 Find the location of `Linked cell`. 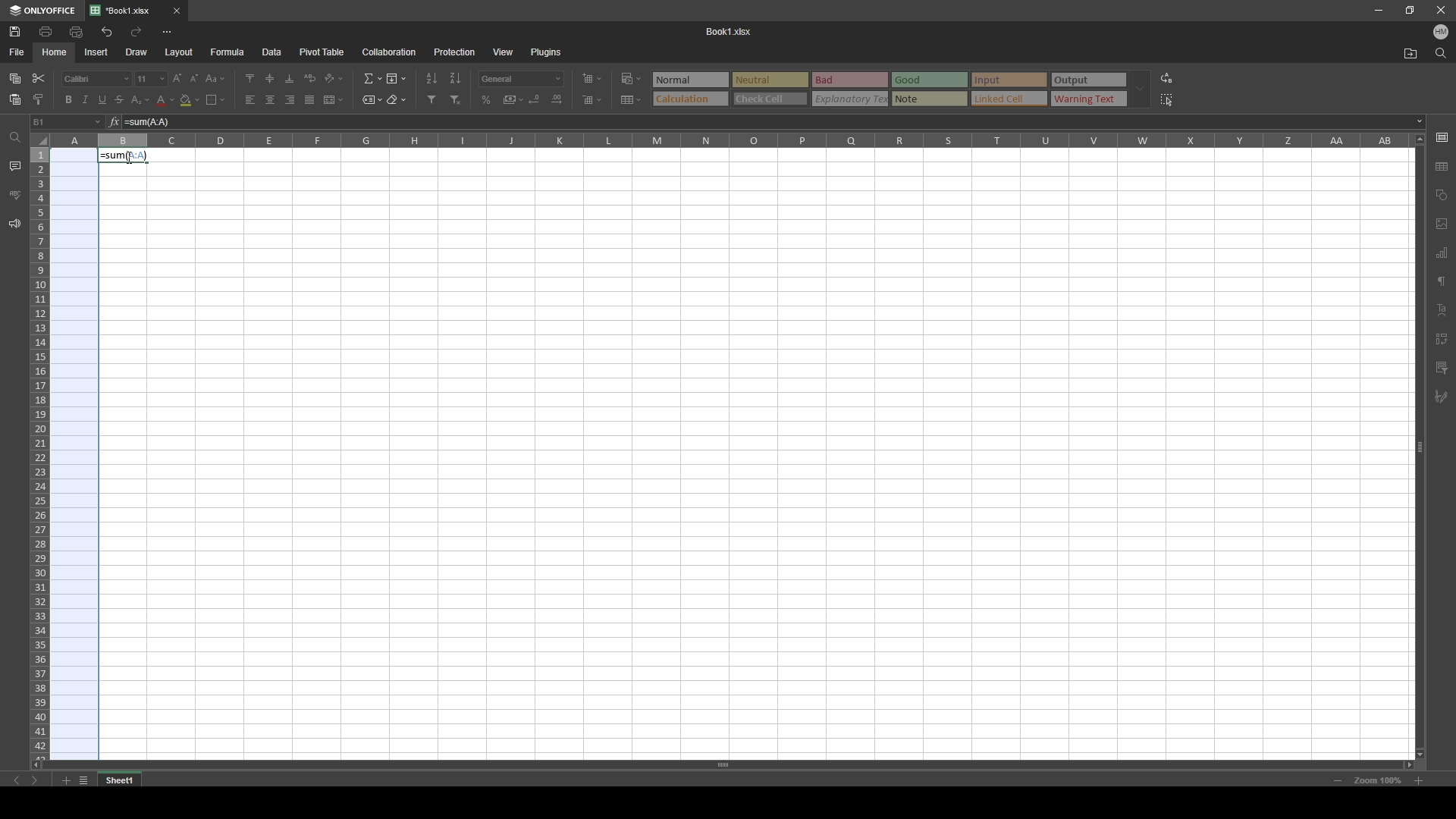

Linked cell is located at coordinates (1010, 99).